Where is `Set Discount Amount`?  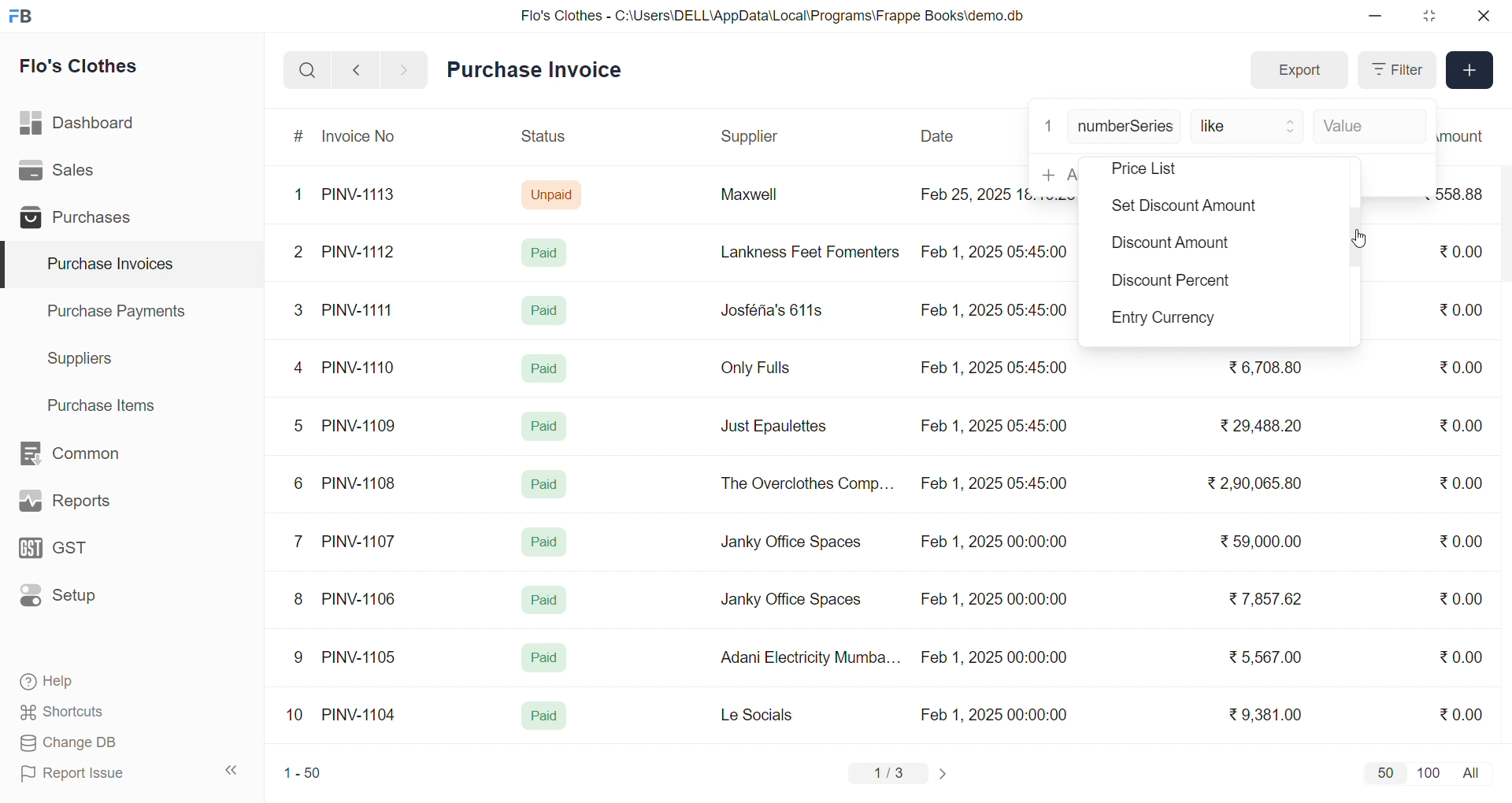
Set Discount Amount is located at coordinates (1180, 208).